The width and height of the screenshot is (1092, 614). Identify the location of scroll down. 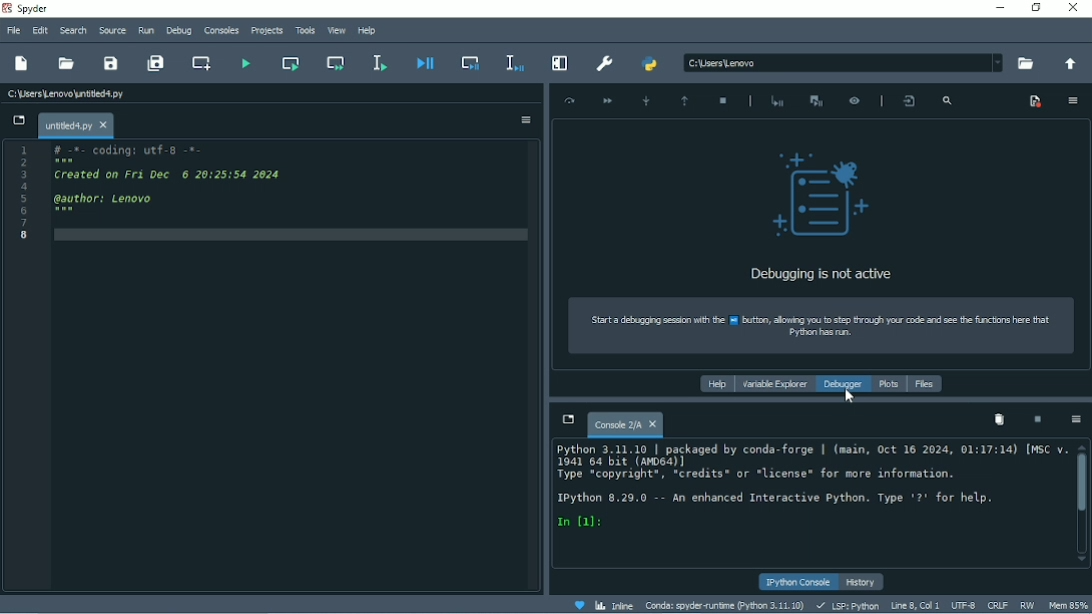
(1082, 558).